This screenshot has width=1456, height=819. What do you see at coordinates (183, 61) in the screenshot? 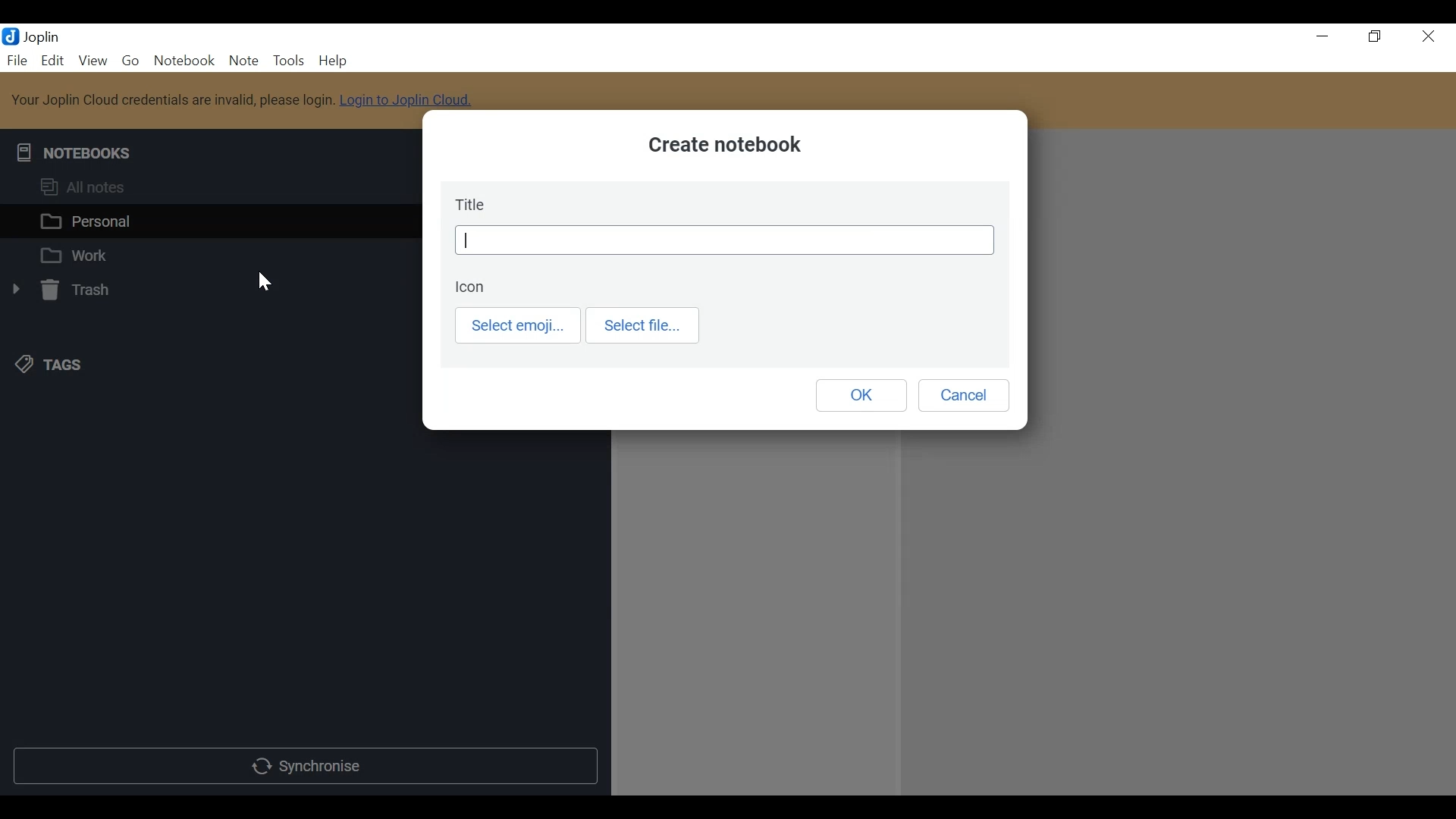
I see `Notebook` at bounding box center [183, 61].